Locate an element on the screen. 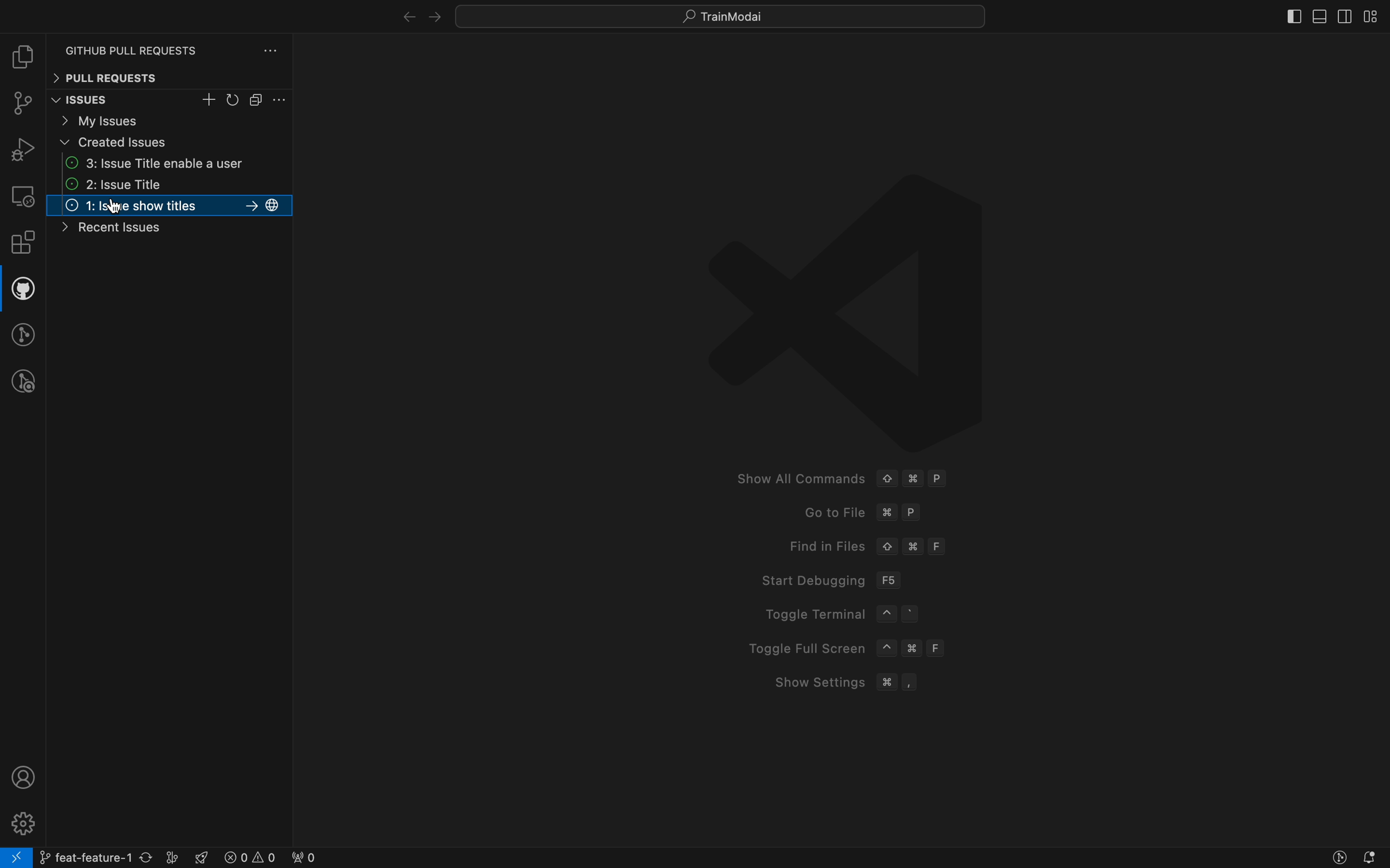  recent issues is located at coordinates (137, 231).